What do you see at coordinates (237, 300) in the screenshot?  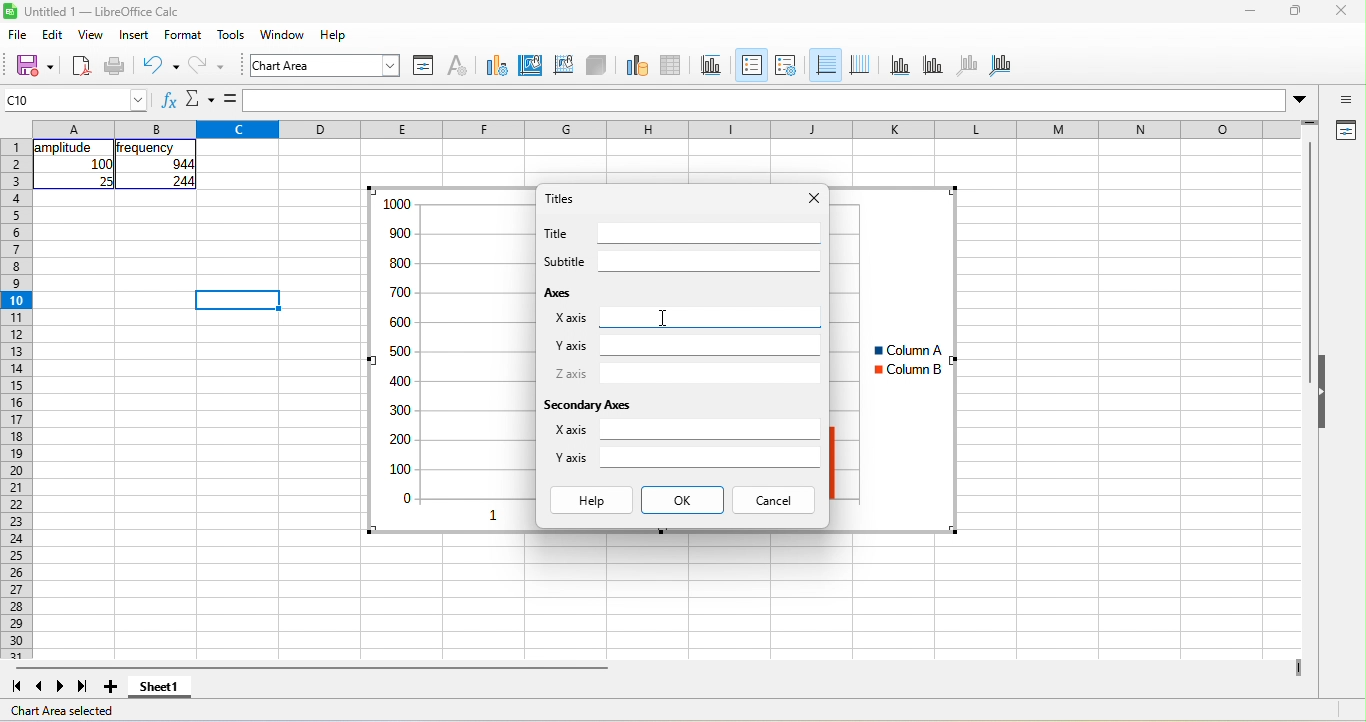 I see `Selected cell highlighted` at bounding box center [237, 300].